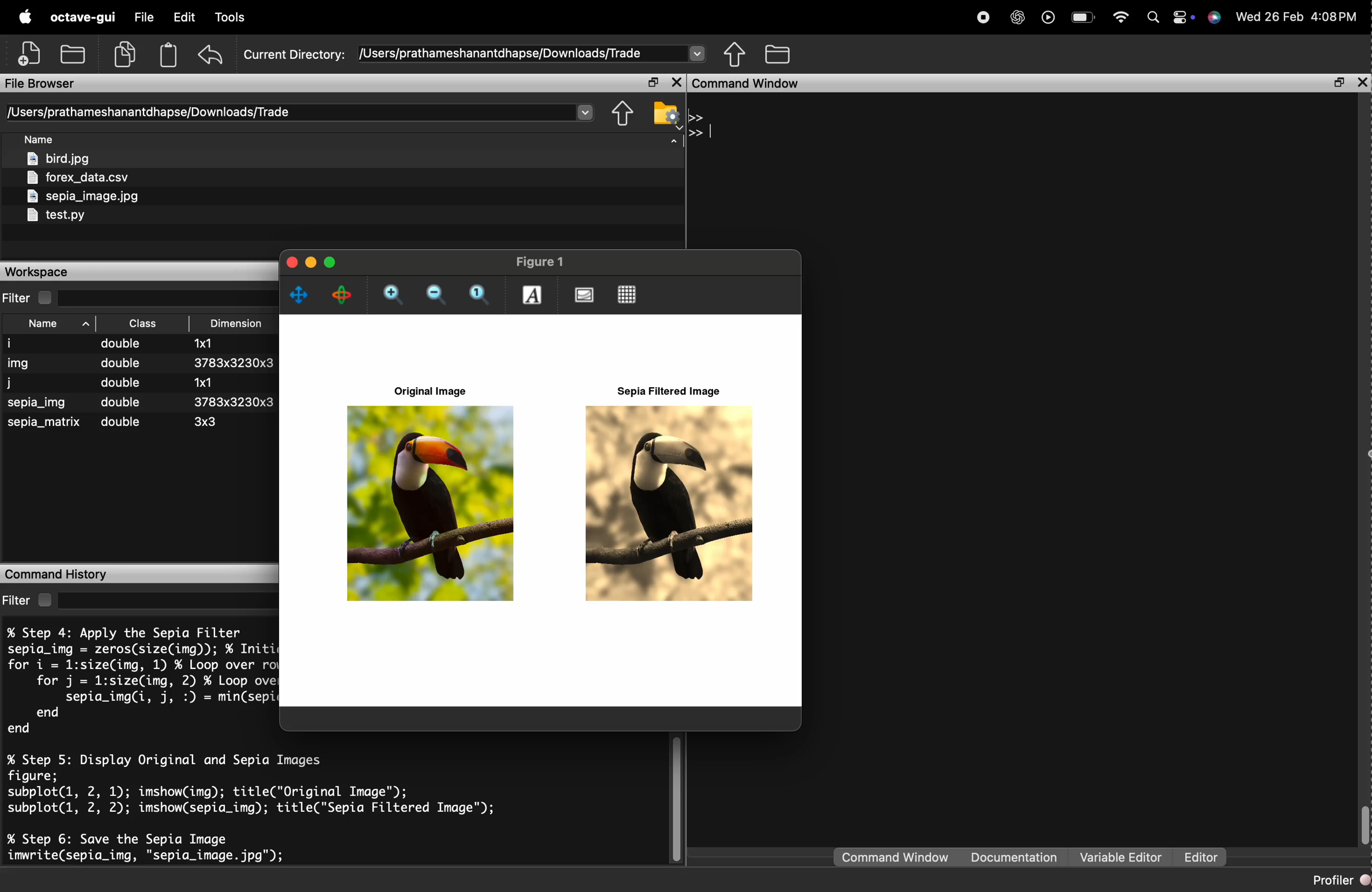 This screenshot has height=892, width=1372. What do you see at coordinates (541, 263) in the screenshot?
I see `Figure 1` at bounding box center [541, 263].